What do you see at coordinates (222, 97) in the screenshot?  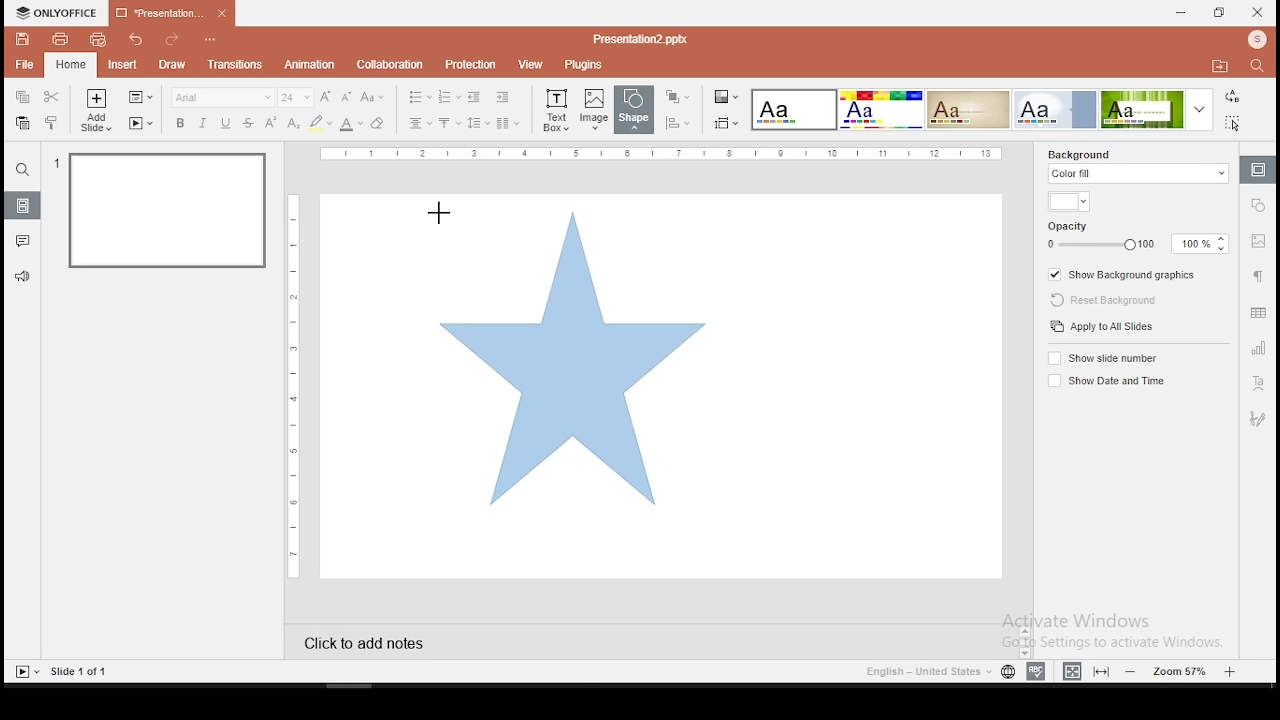 I see `font` at bounding box center [222, 97].